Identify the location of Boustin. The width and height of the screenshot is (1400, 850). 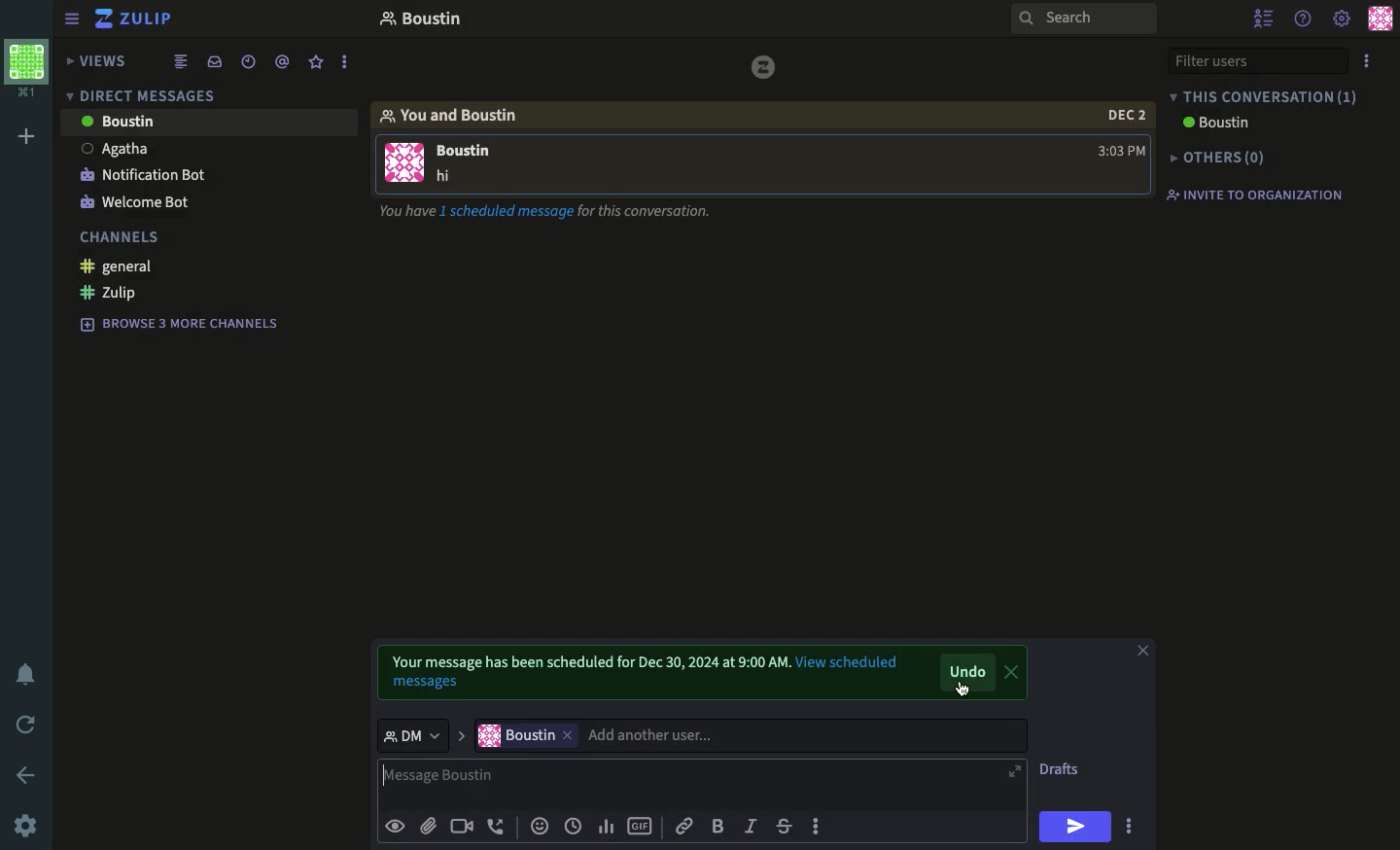
(118, 121).